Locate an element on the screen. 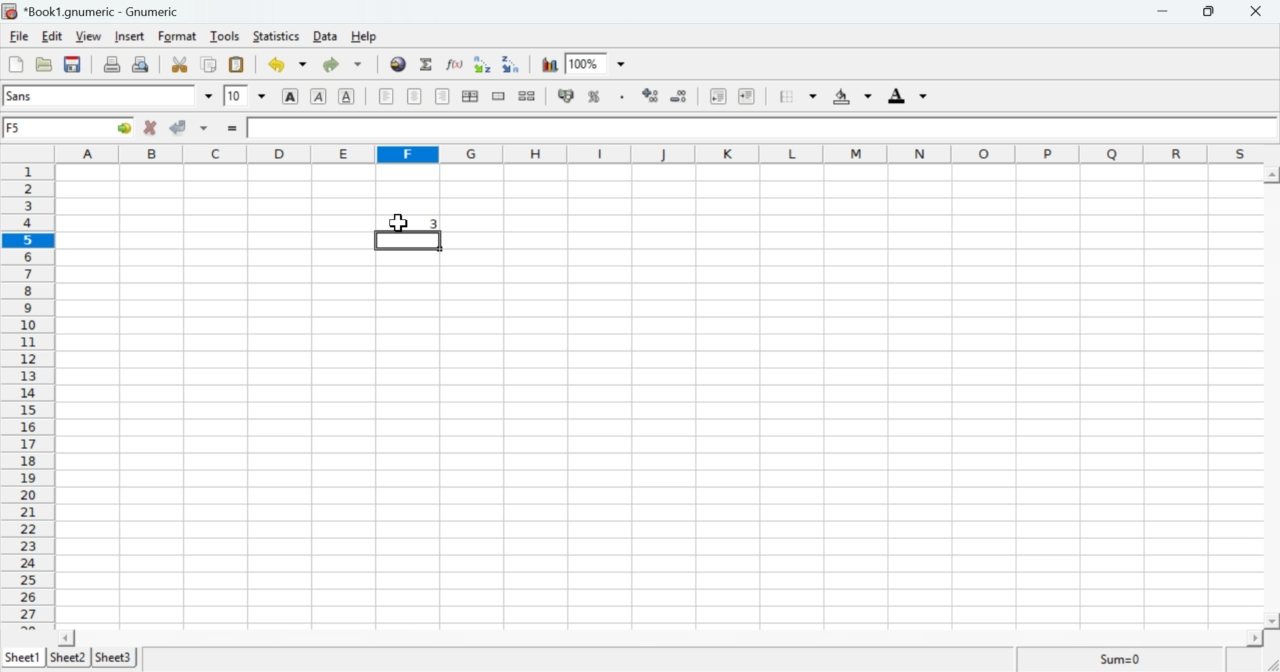  Align left is located at coordinates (386, 97).